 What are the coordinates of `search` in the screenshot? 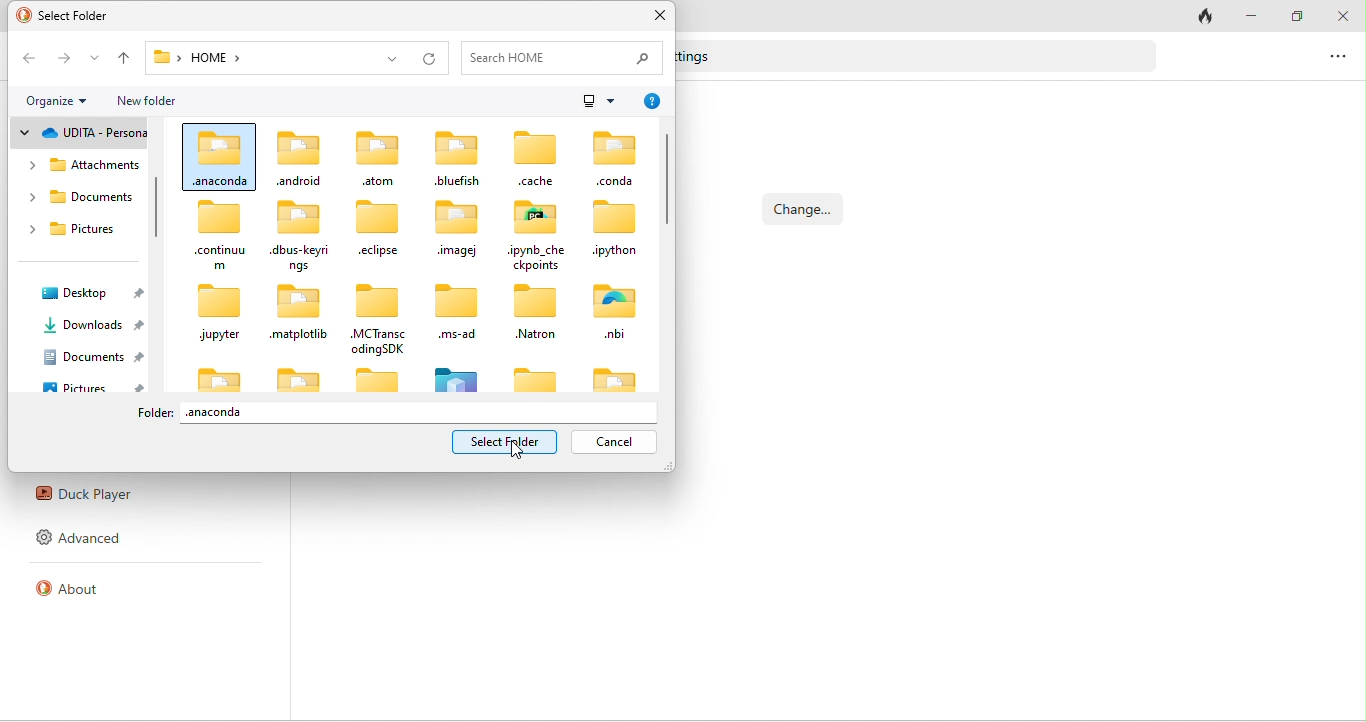 It's located at (567, 57).